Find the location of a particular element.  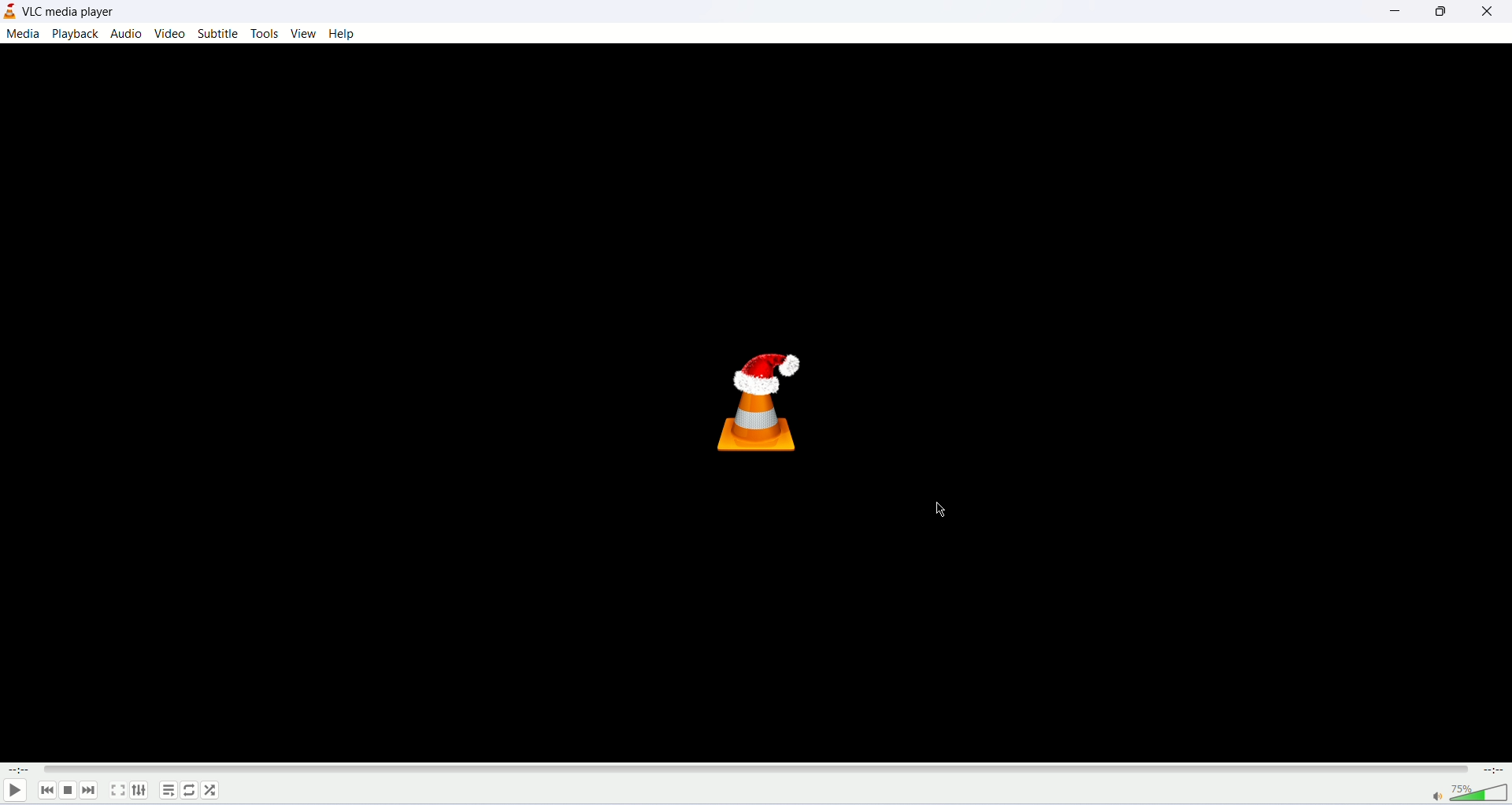

video is located at coordinates (169, 34).